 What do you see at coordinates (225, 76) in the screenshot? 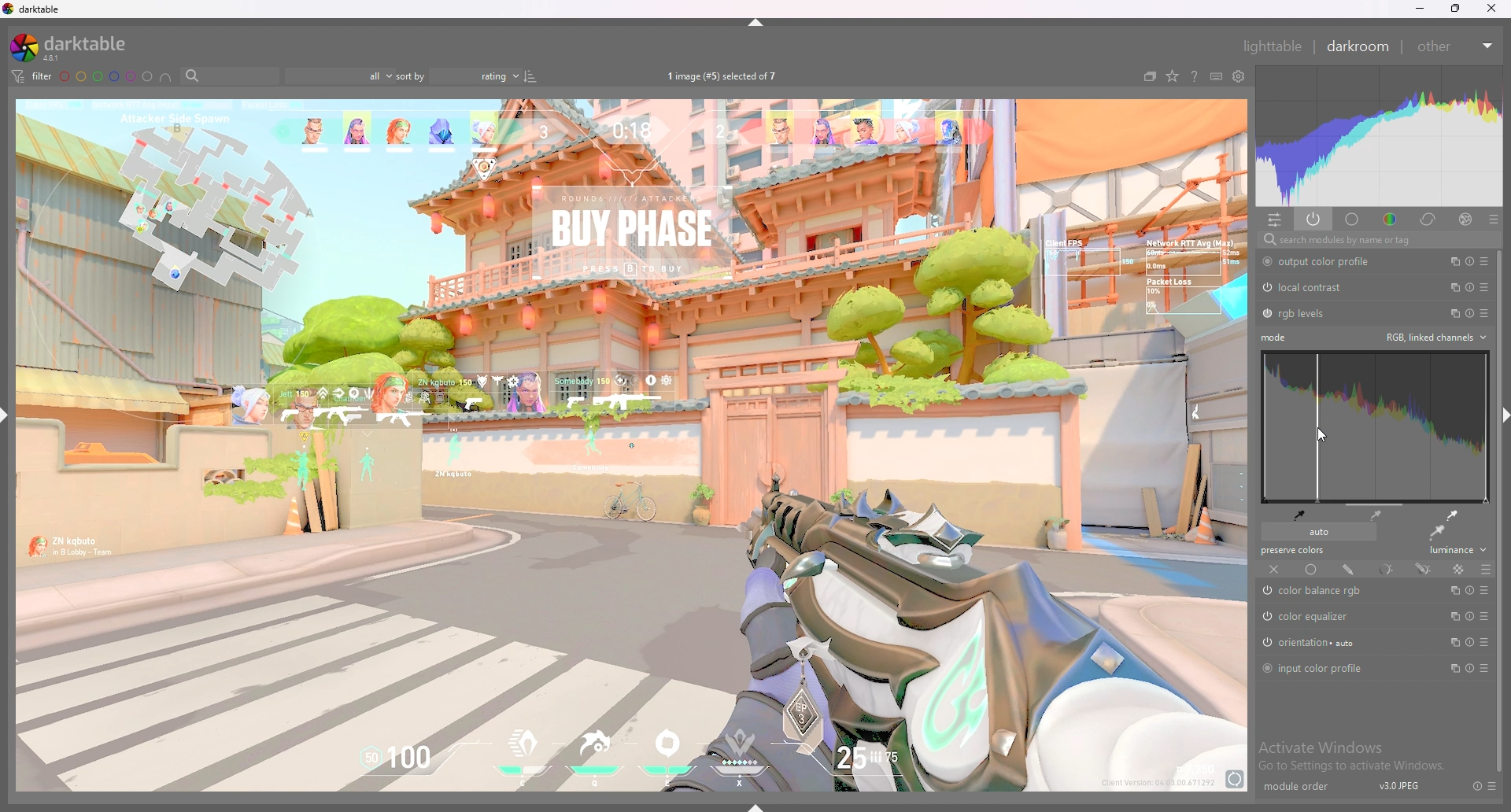
I see `search bar` at bounding box center [225, 76].